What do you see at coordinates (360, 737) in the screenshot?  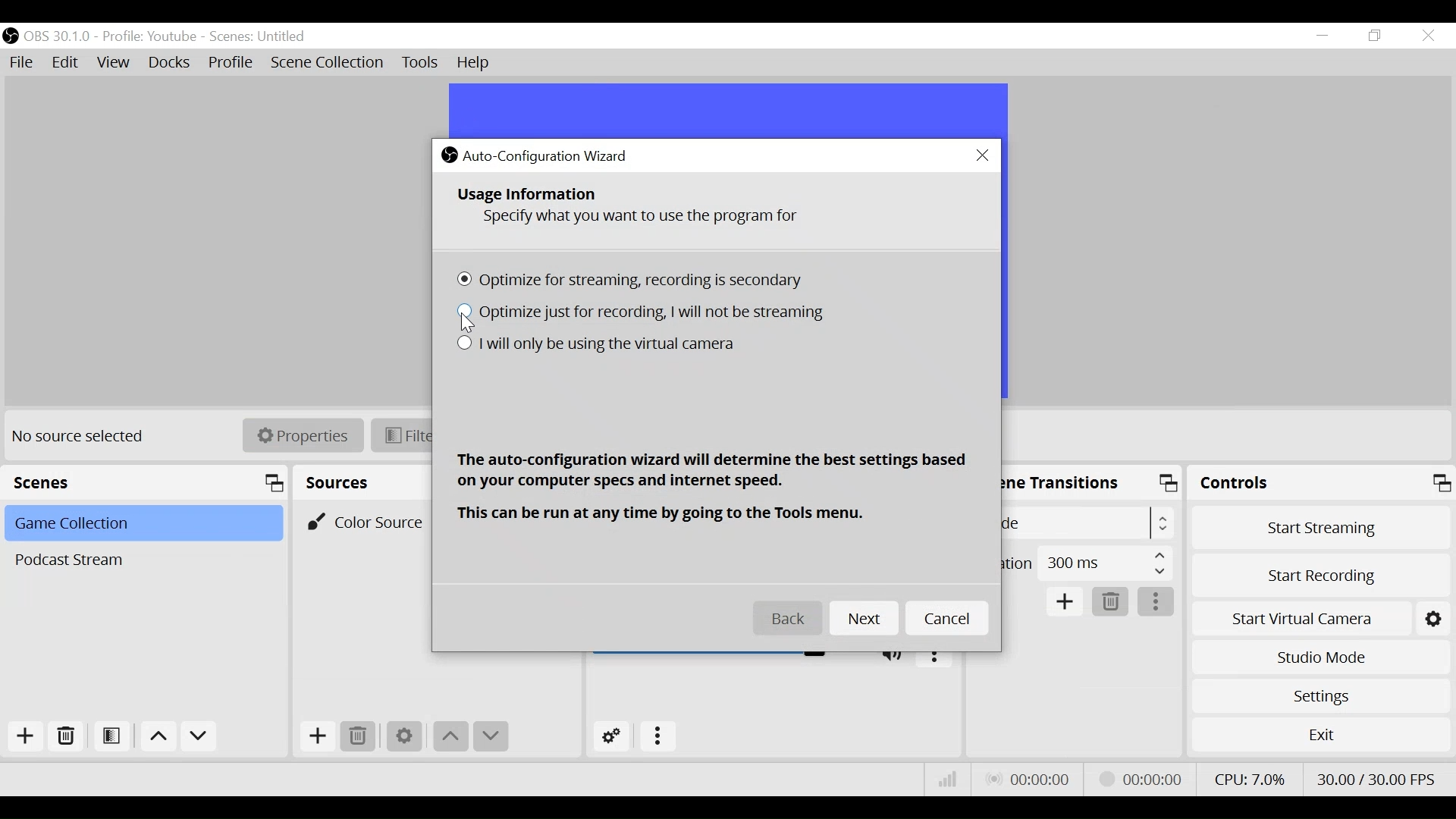 I see `Remove` at bounding box center [360, 737].